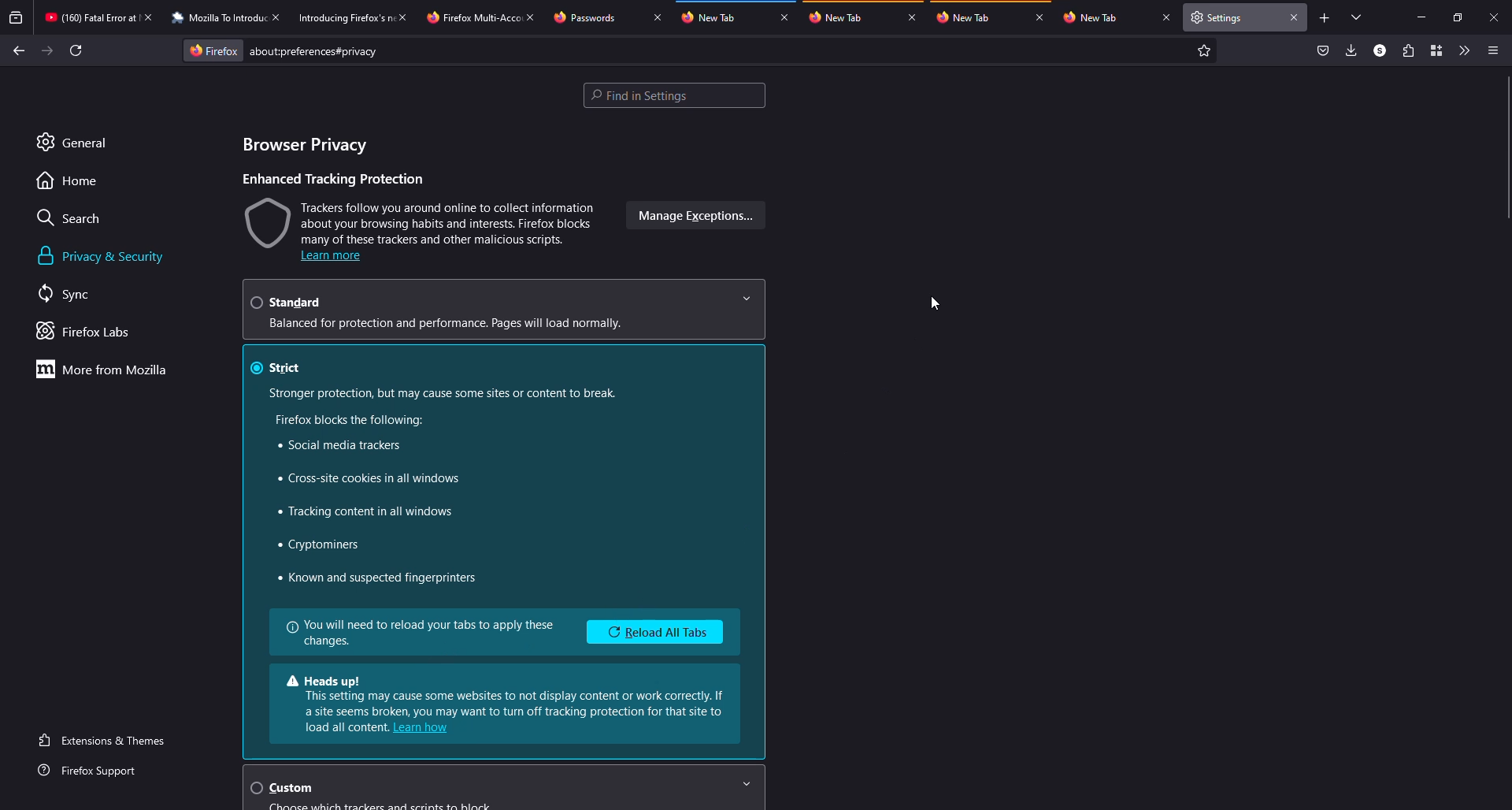  I want to click on reload all tabs, so click(654, 631).